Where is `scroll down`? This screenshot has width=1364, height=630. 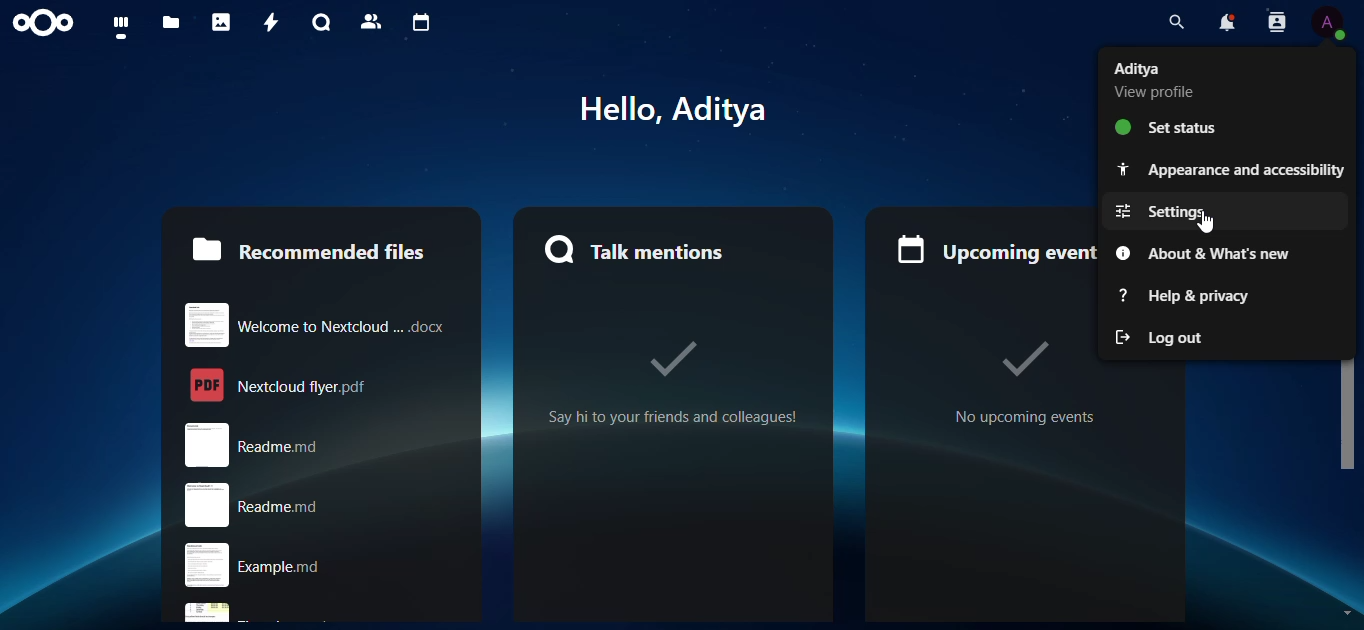
scroll down is located at coordinates (1347, 606).